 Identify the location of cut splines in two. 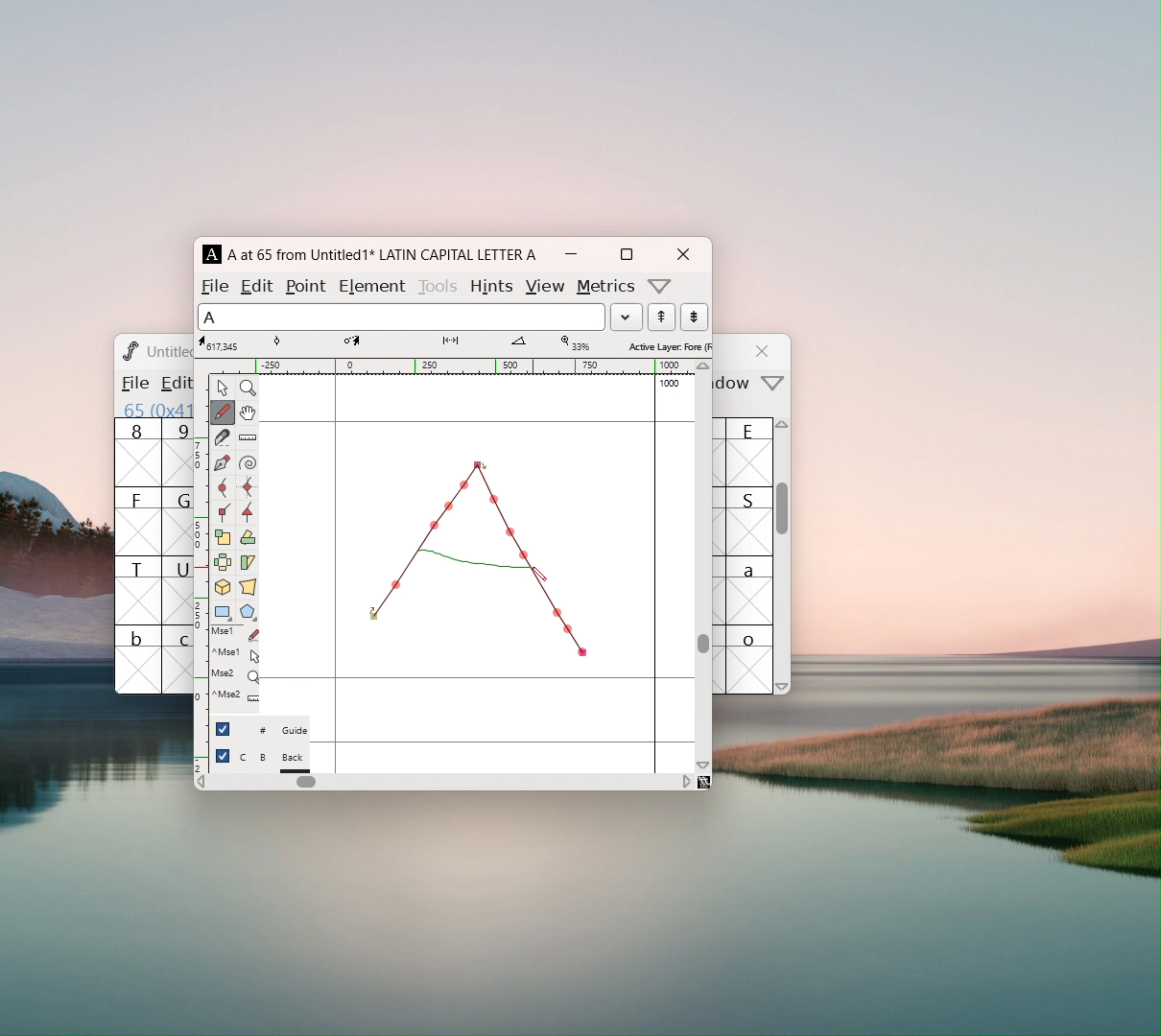
(223, 439).